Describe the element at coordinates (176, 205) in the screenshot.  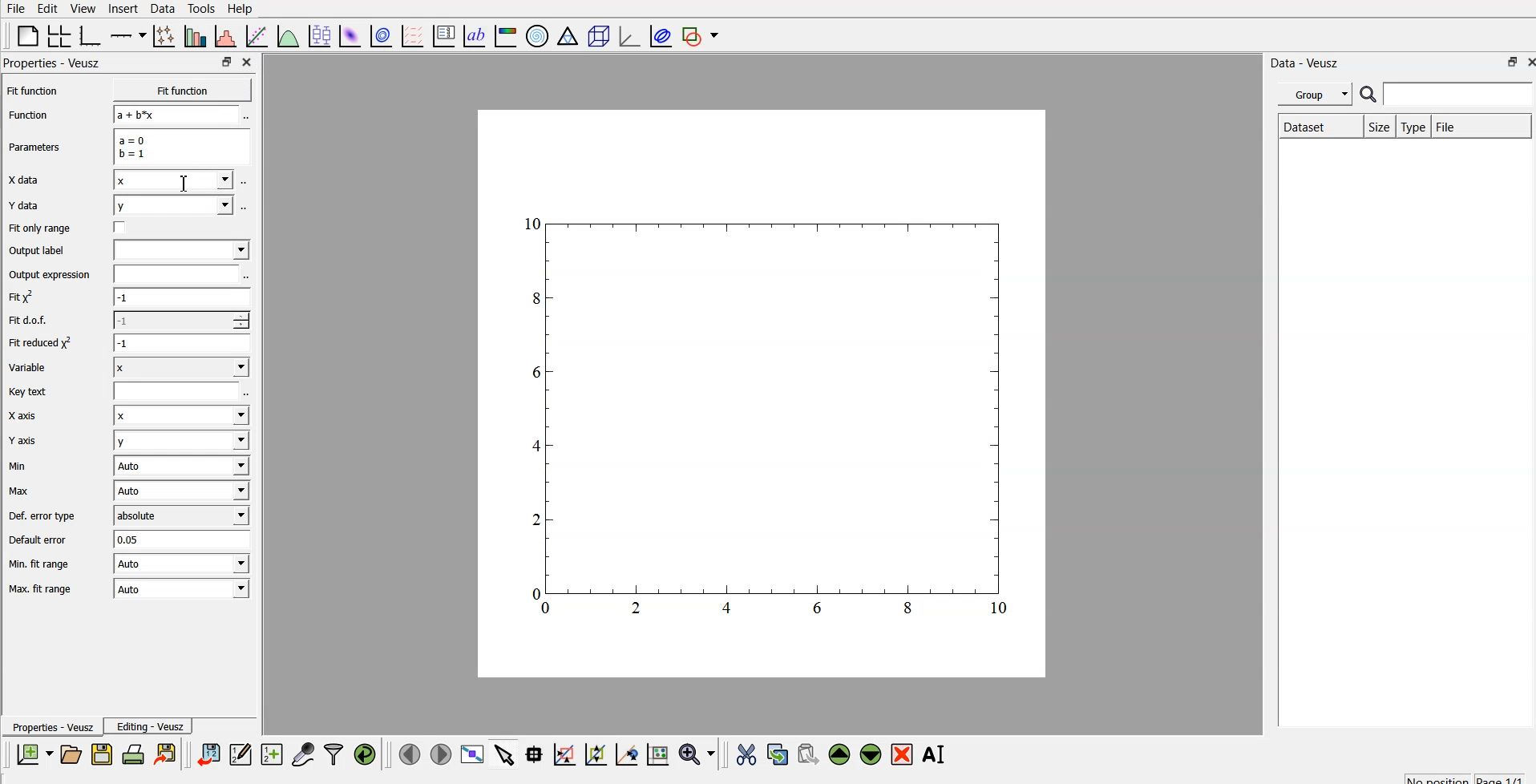
I see `y` at that location.